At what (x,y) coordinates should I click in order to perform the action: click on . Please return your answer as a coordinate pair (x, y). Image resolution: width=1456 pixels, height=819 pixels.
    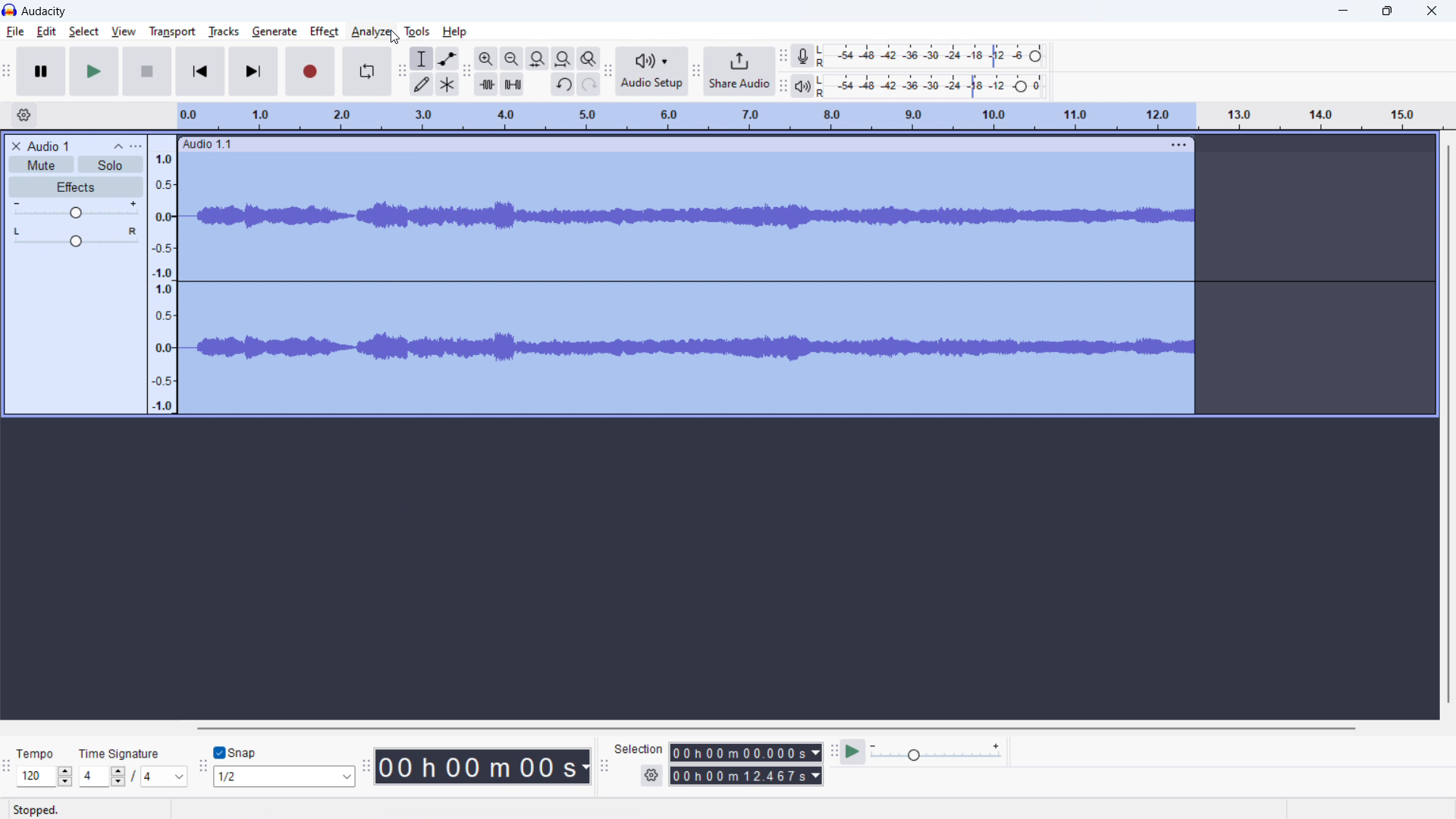
    Looking at the image, I should click on (400, 71).